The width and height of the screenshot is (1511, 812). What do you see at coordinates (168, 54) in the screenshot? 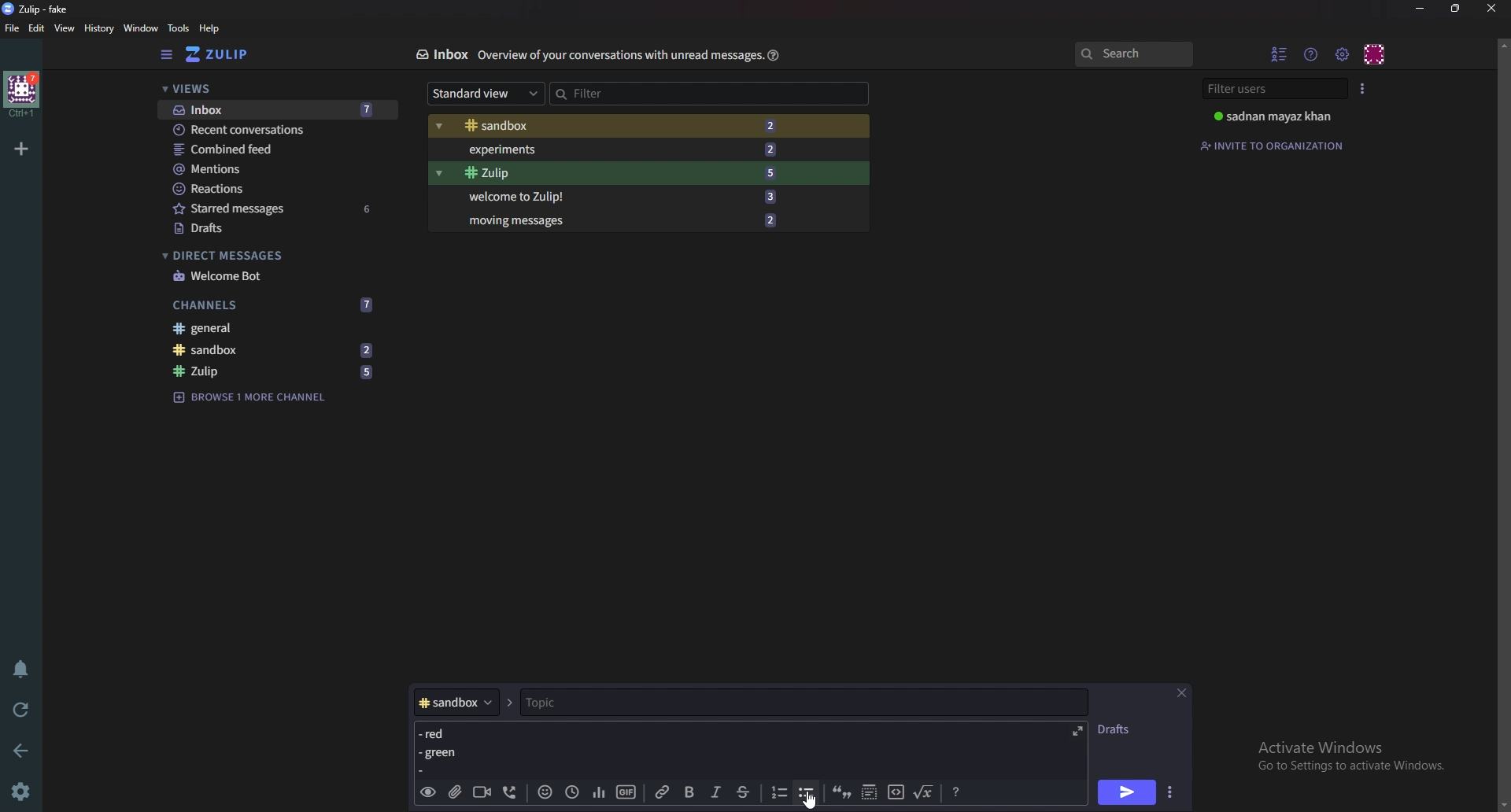
I see `Hide sidebar` at bounding box center [168, 54].